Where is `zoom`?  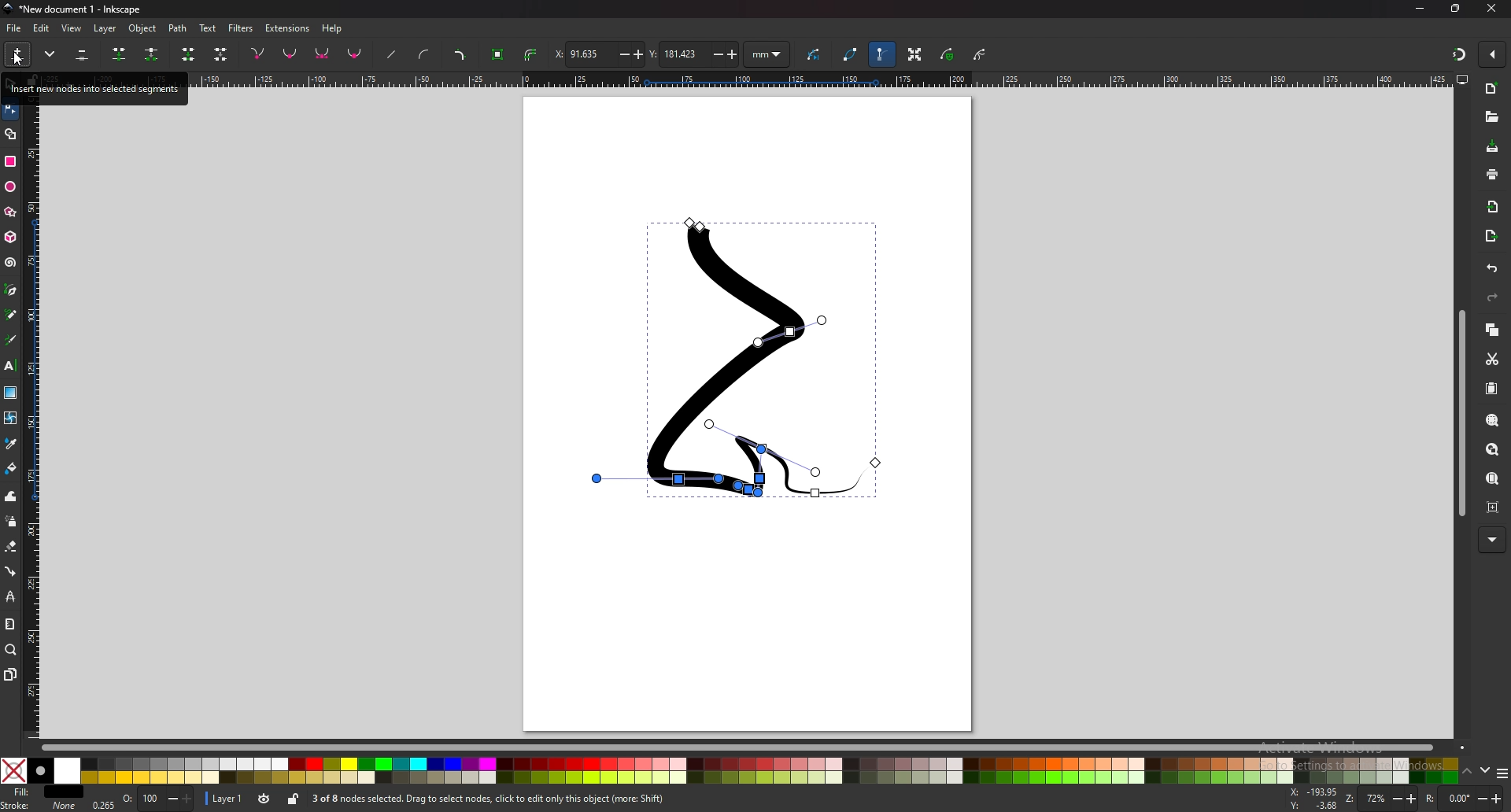 zoom is located at coordinates (1381, 799).